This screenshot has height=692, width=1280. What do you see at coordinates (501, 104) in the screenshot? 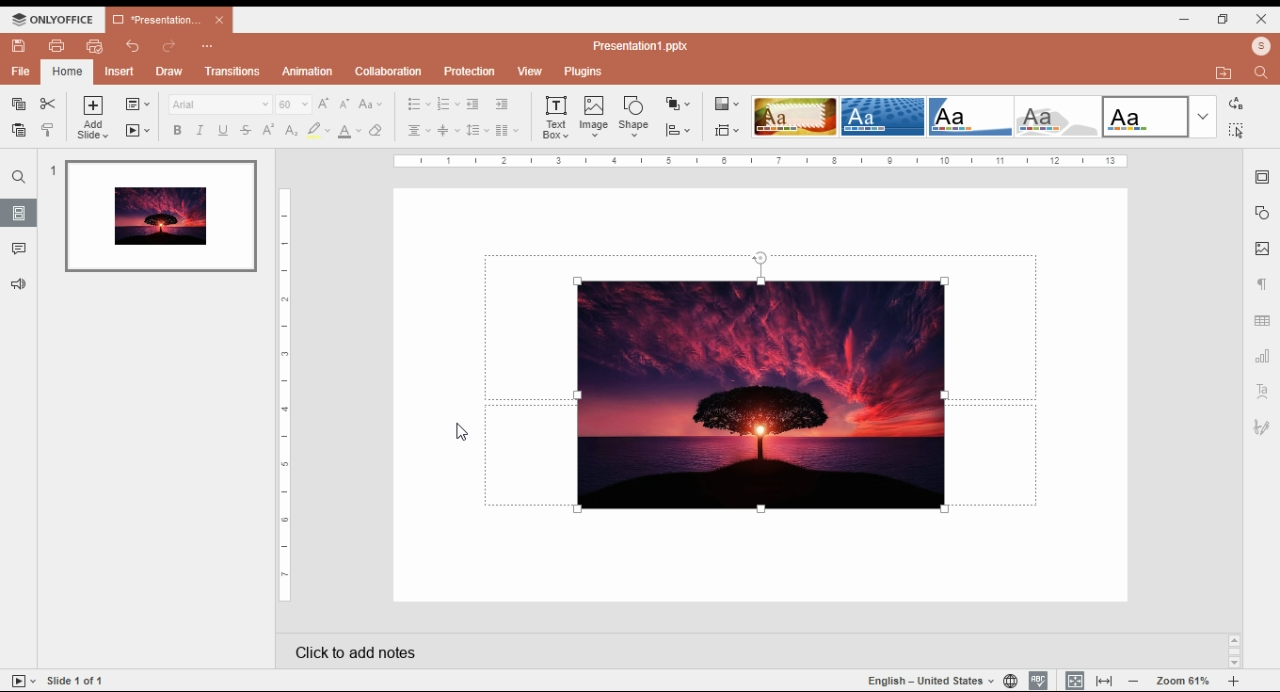
I see `decrease indent` at bounding box center [501, 104].